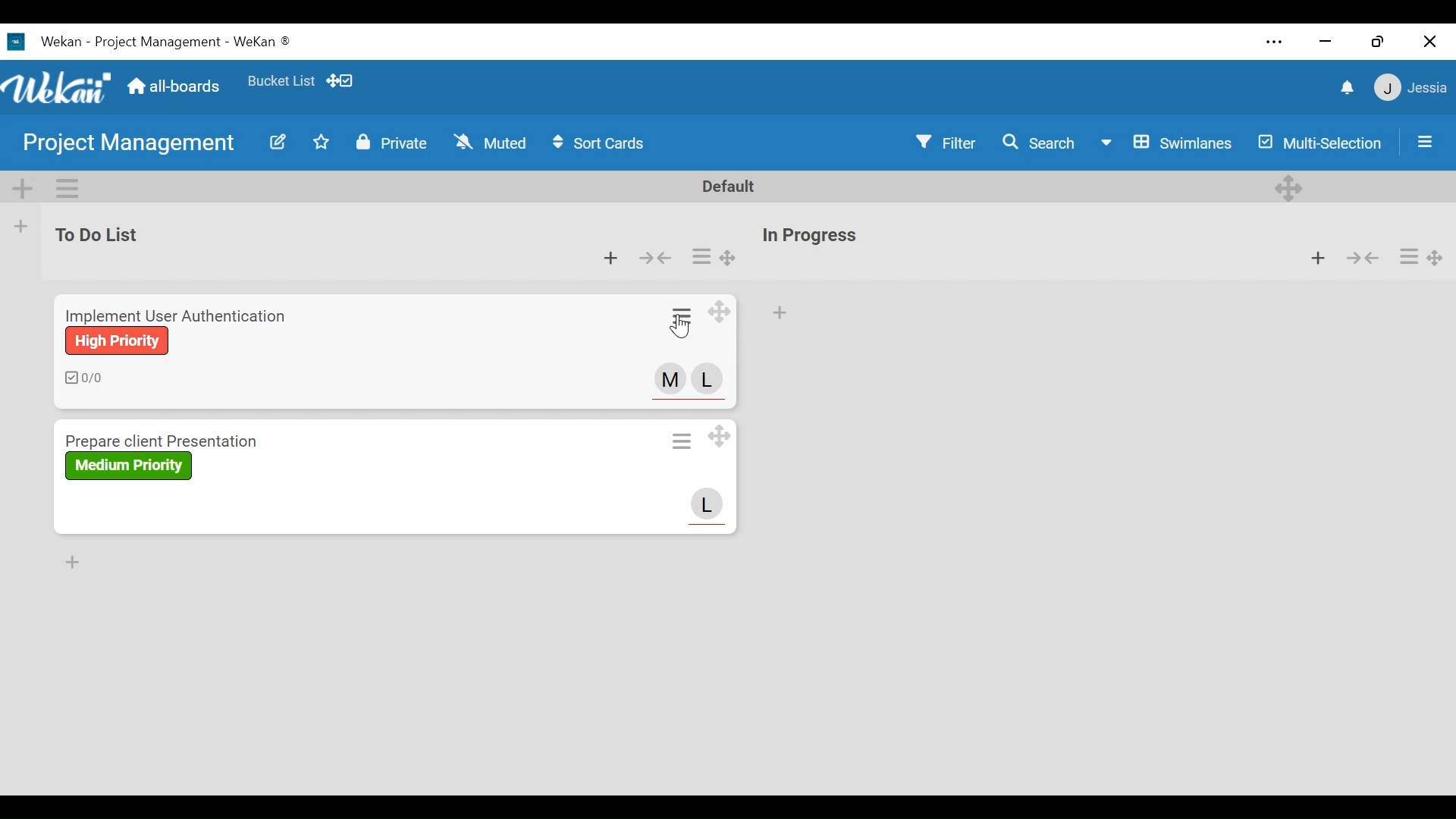 The image size is (1456, 819). I want to click on Member Settings, so click(1412, 89).